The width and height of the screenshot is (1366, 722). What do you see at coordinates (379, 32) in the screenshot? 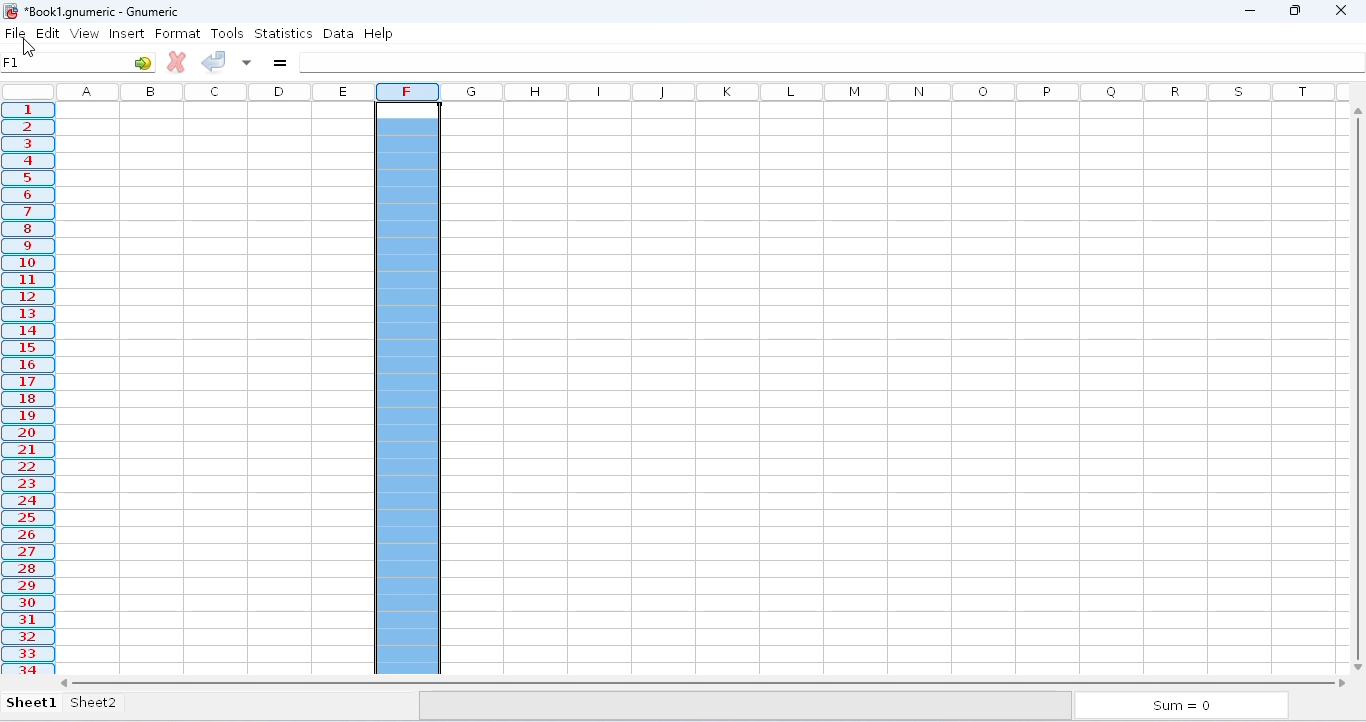
I see `help` at bounding box center [379, 32].